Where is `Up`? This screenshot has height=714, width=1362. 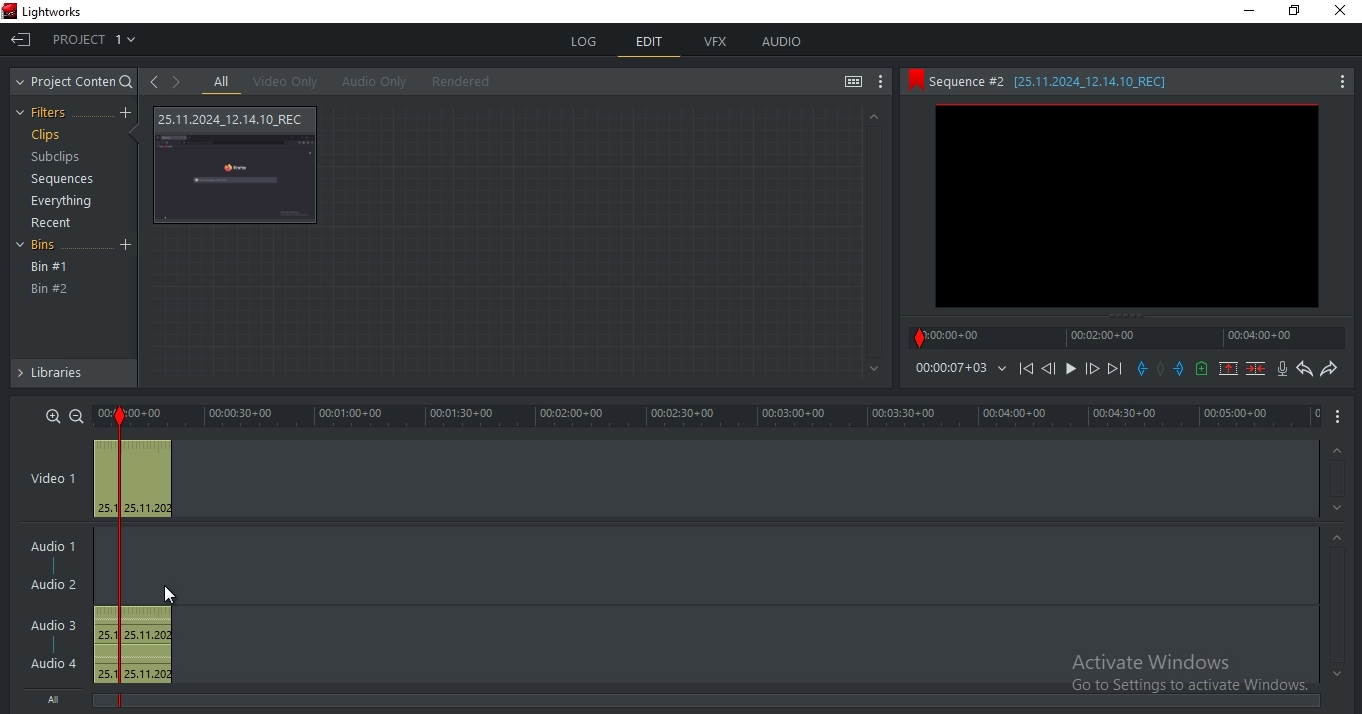
Up is located at coordinates (1339, 448).